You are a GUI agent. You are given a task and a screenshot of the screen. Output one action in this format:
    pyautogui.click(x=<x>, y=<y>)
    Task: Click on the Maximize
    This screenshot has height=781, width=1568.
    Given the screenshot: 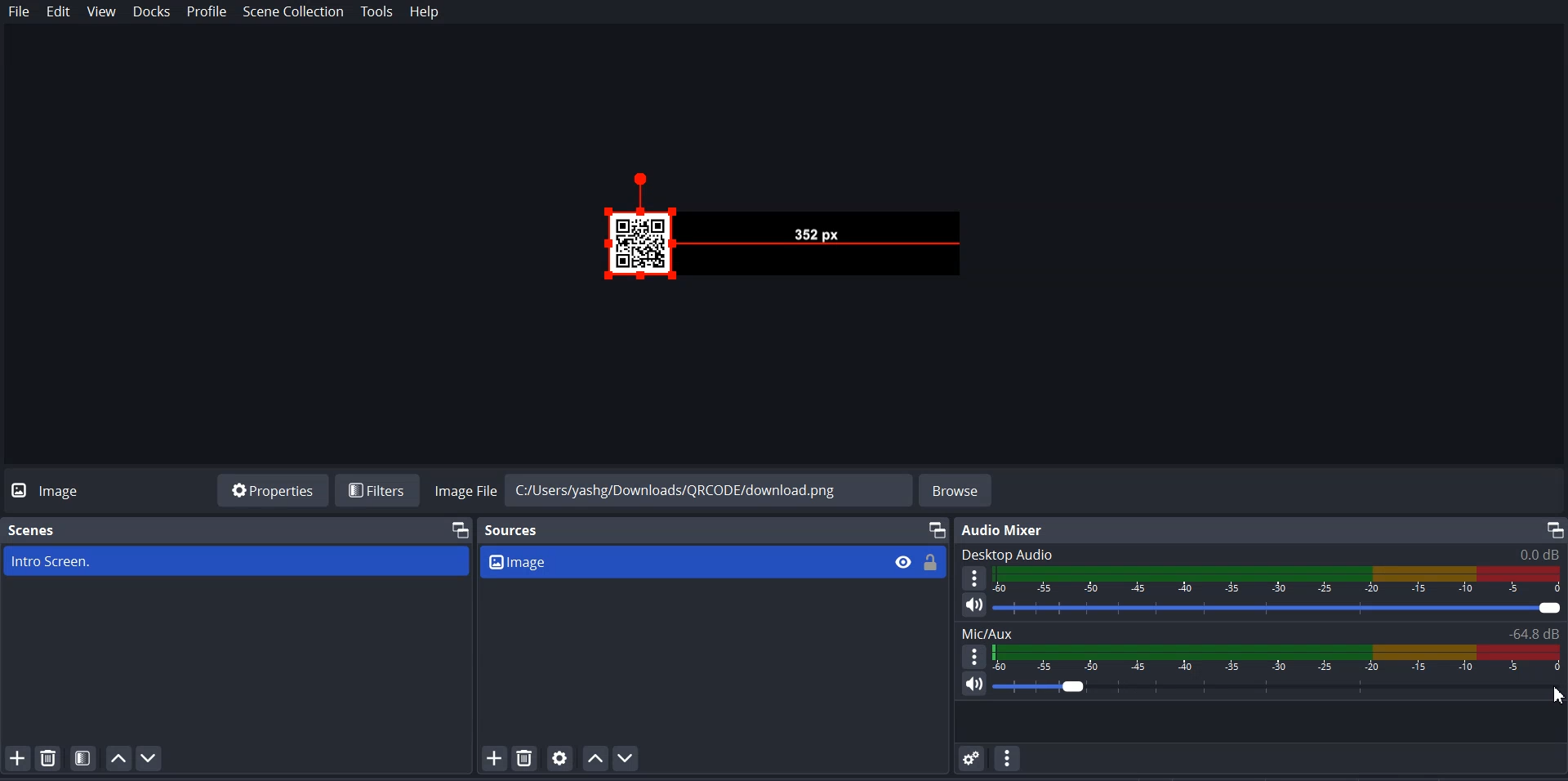 What is the action you would take?
    pyautogui.click(x=1553, y=529)
    